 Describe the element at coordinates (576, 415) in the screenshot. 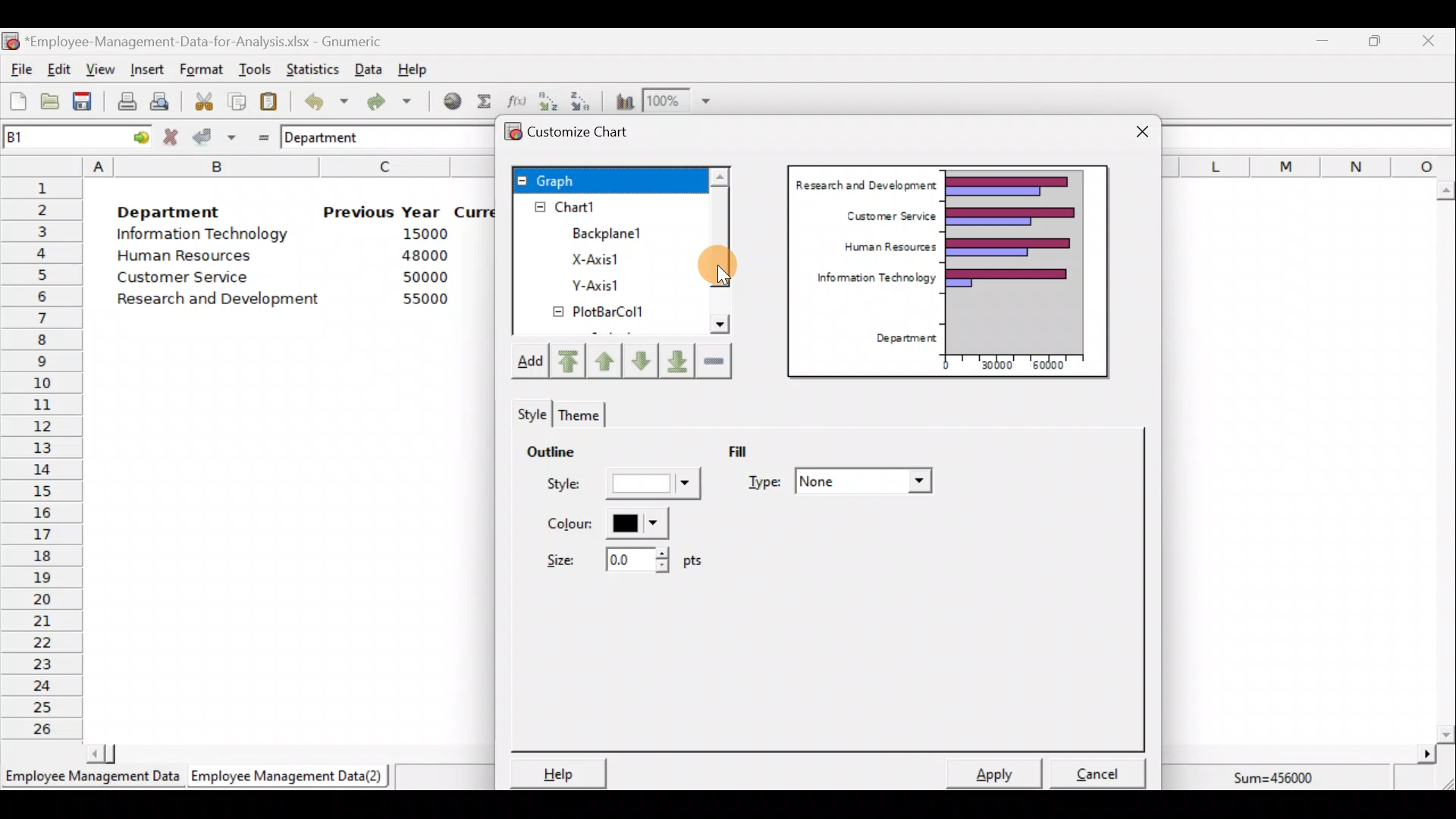

I see `Theme` at that location.